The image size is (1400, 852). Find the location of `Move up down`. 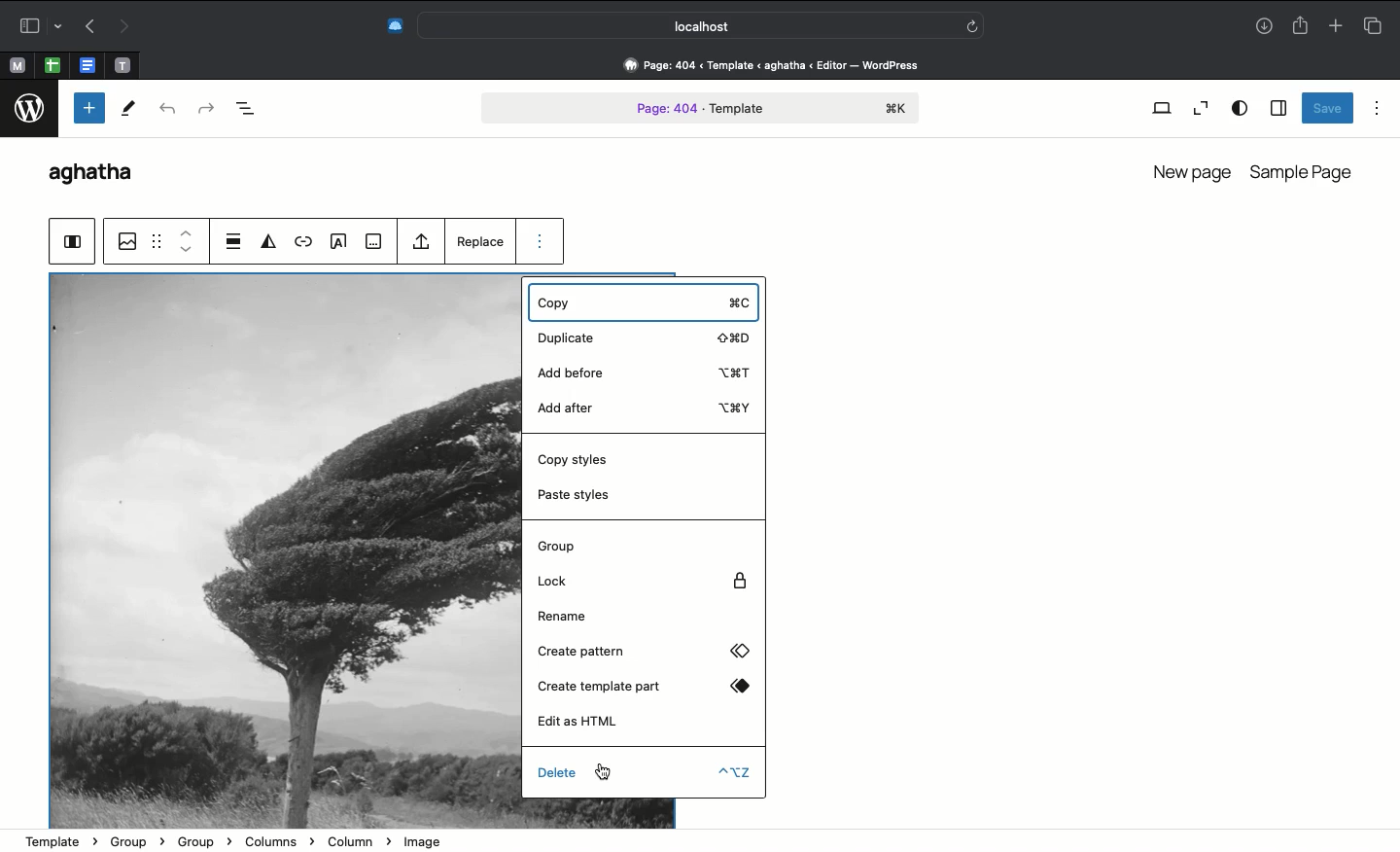

Move up down is located at coordinates (189, 243).